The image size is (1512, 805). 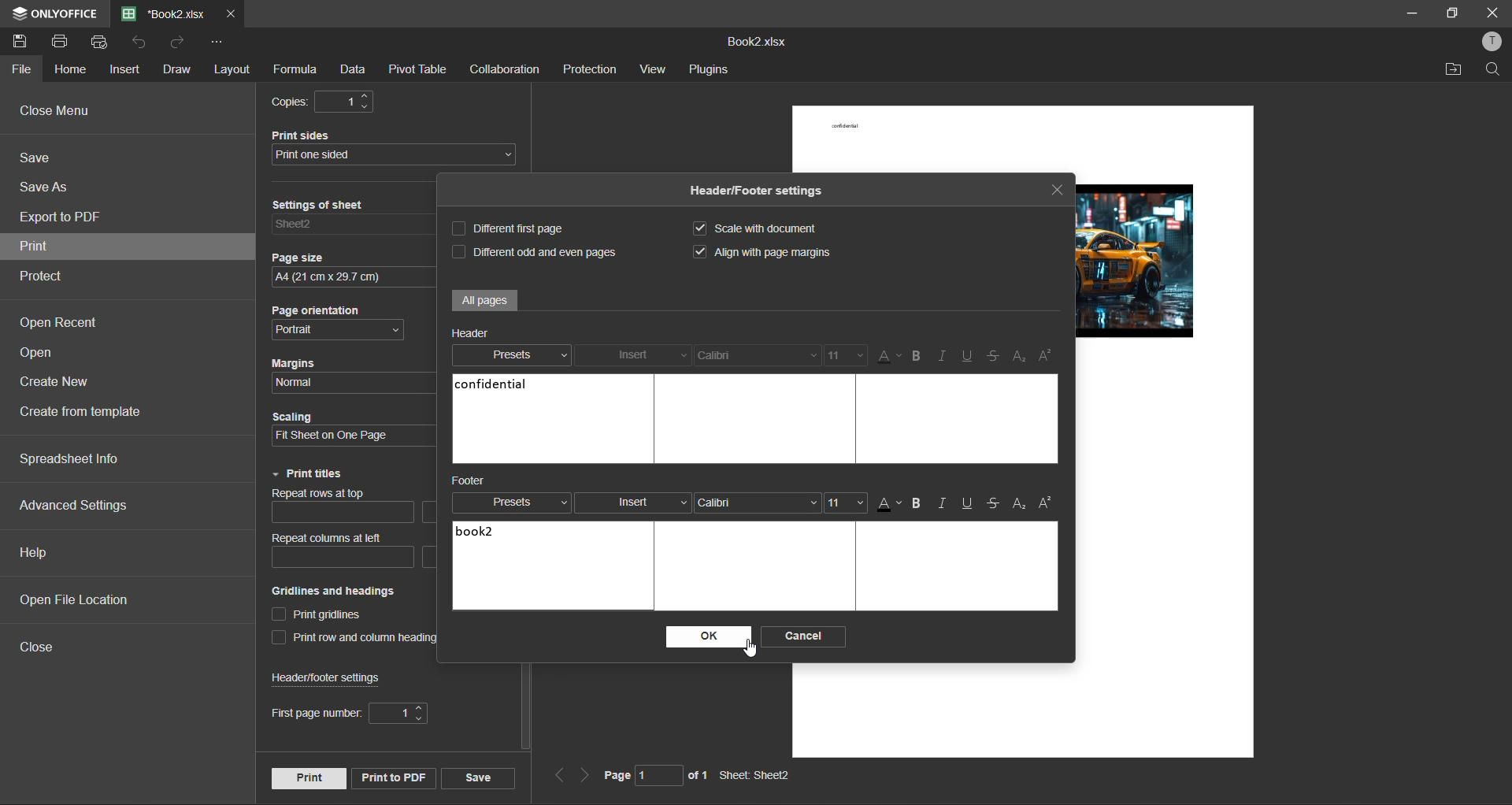 I want to click on ok, so click(x=709, y=638).